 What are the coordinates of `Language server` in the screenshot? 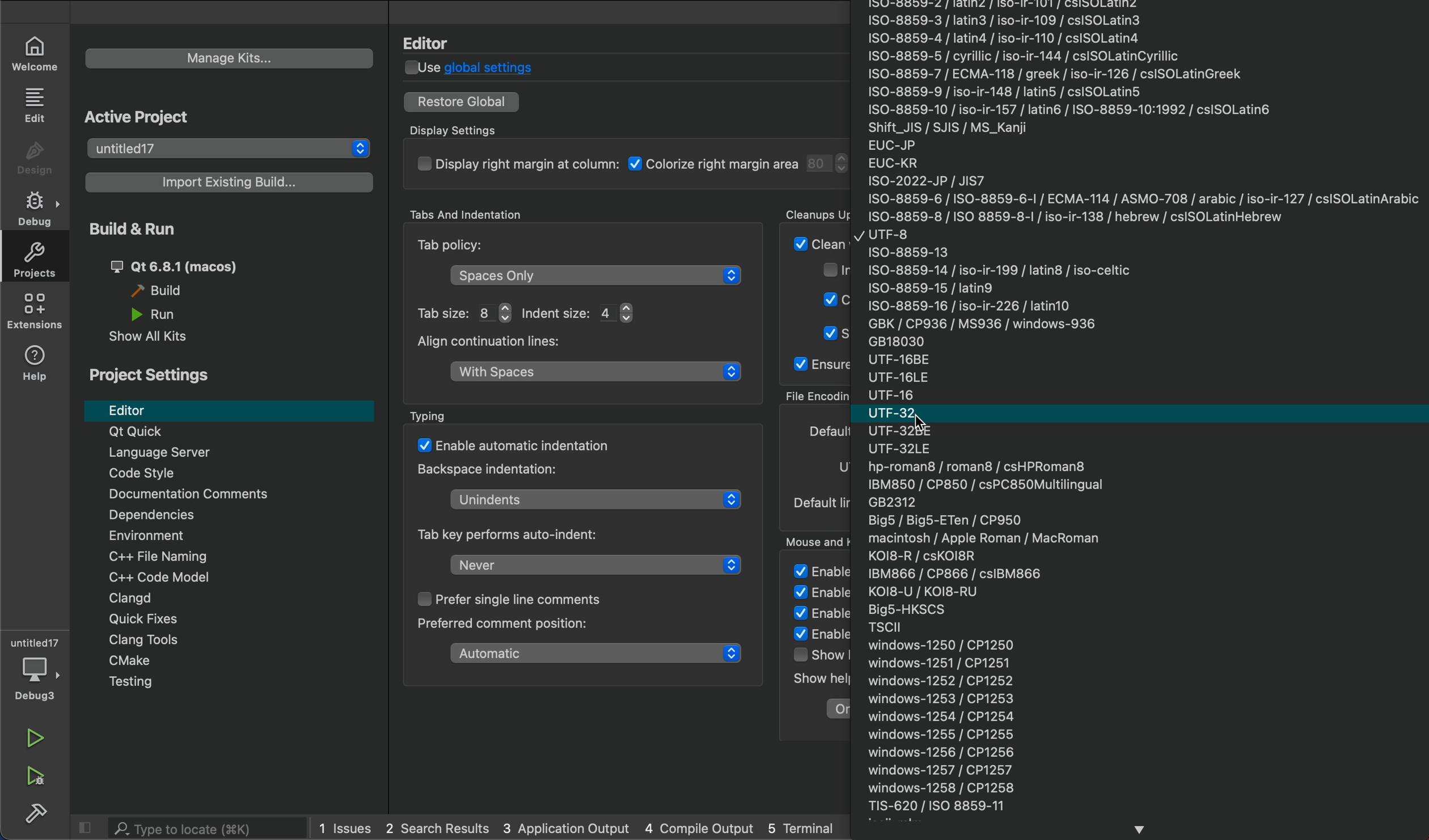 It's located at (230, 453).